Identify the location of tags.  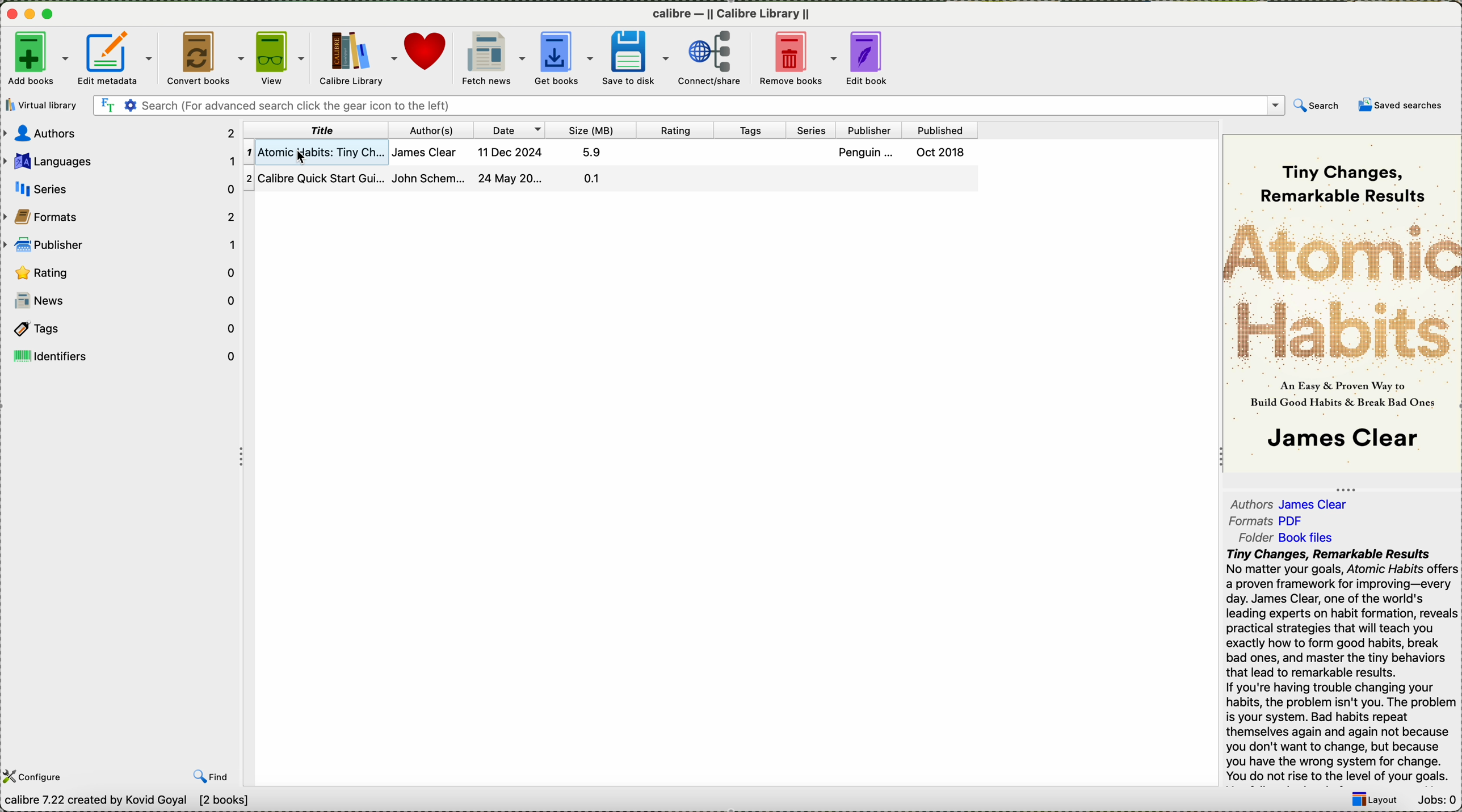
(751, 131).